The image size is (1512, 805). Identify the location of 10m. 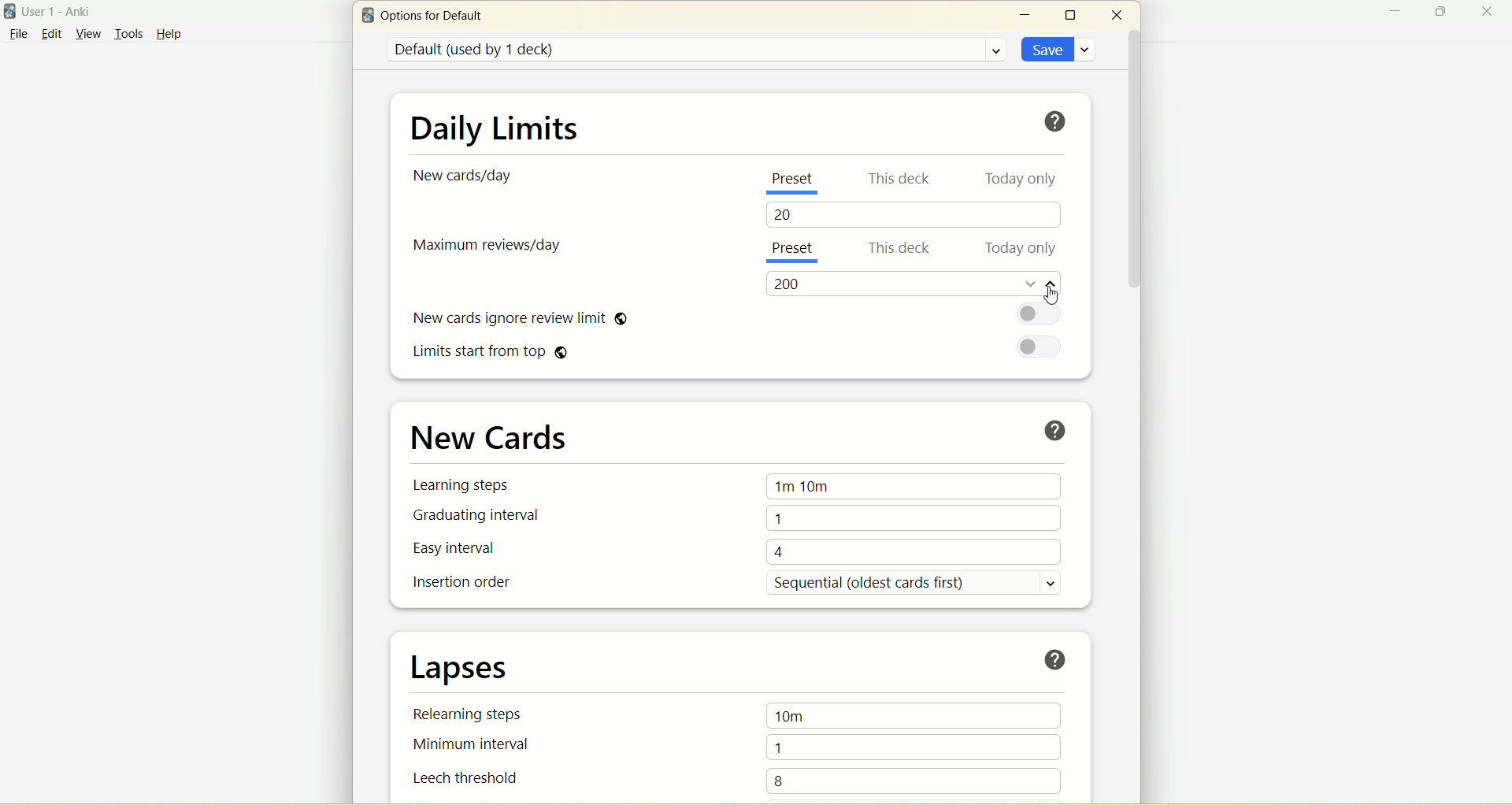
(916, 714).